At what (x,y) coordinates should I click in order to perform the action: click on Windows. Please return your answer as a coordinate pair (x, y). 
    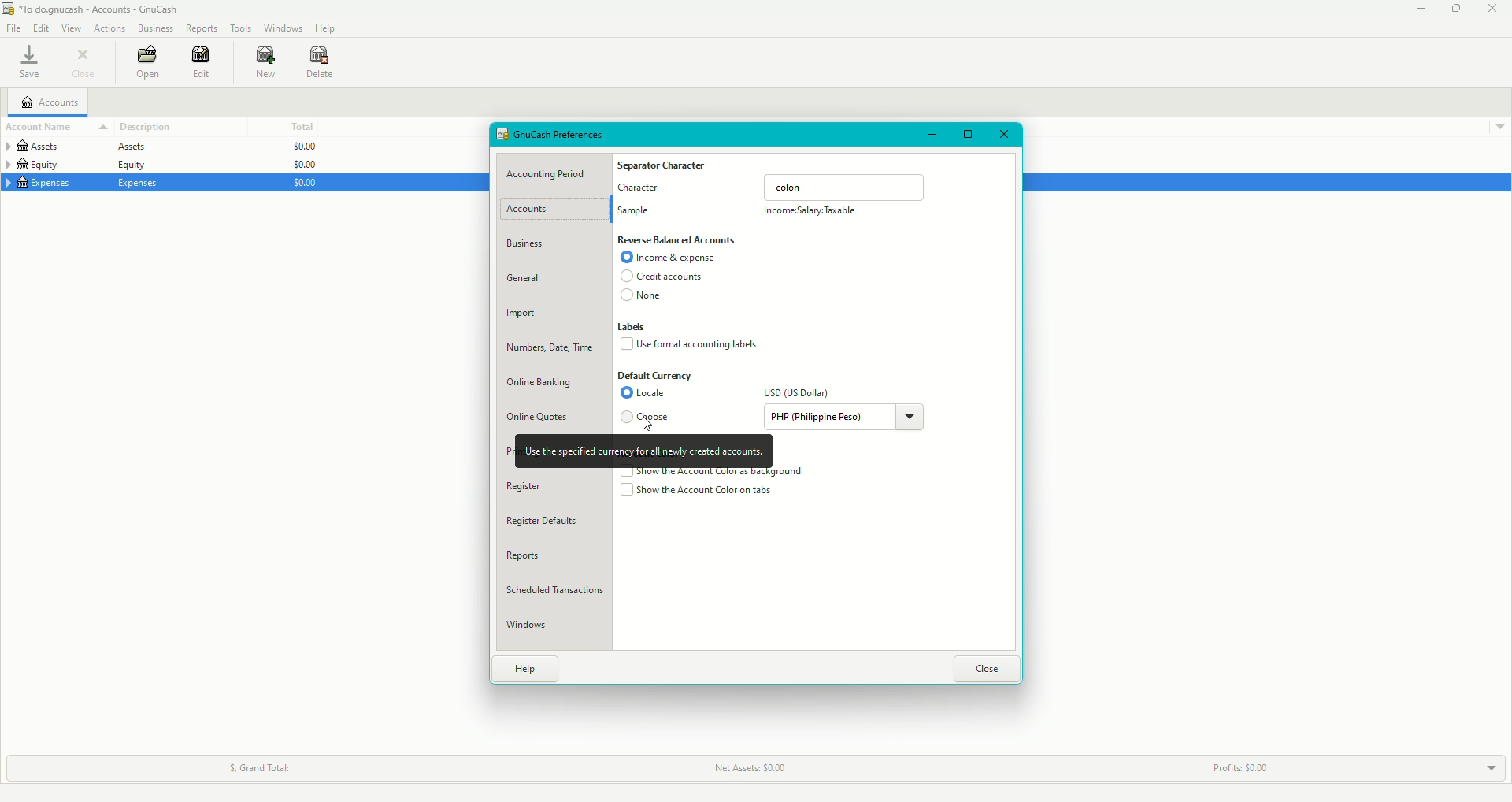
    Looking at the image, I should click on (283, 28).